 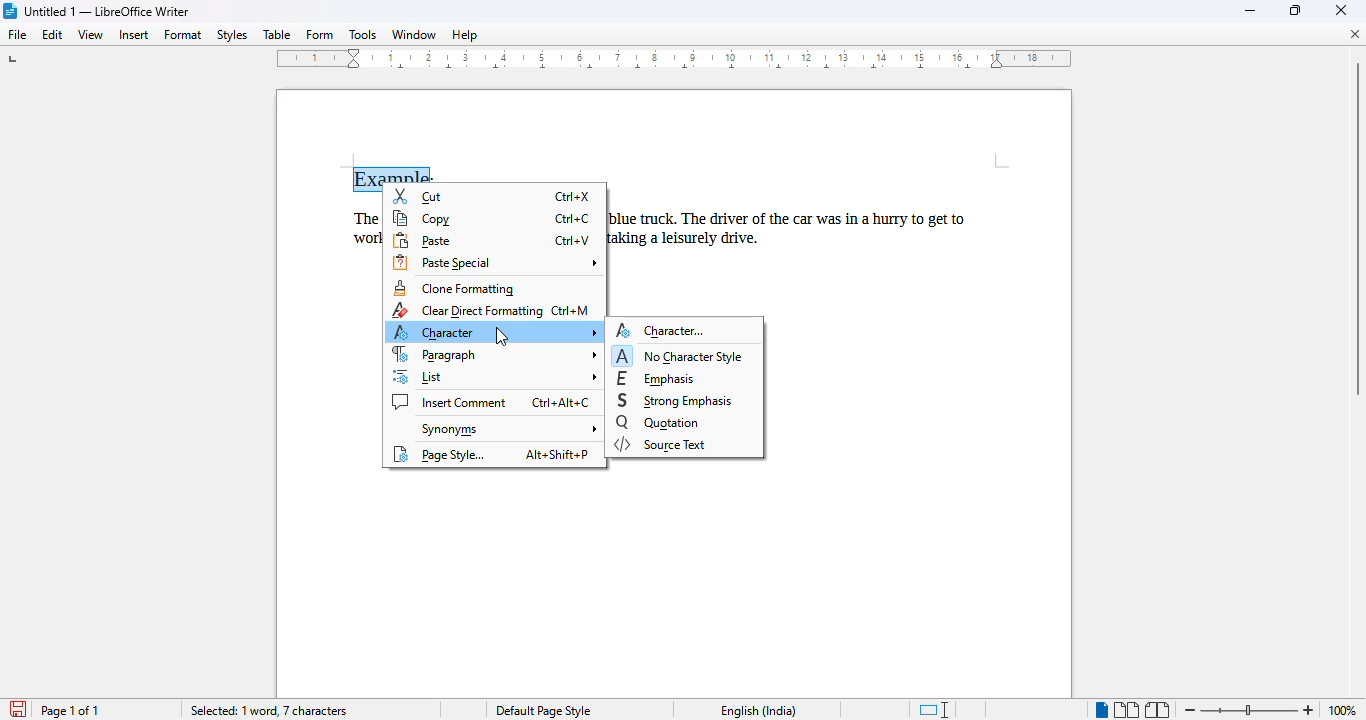 What do you see at coordinates (109, 11) in the screenshot?
I see `Untitled 1 -- LibreOffice Writer` at bounding box center [109, 11].